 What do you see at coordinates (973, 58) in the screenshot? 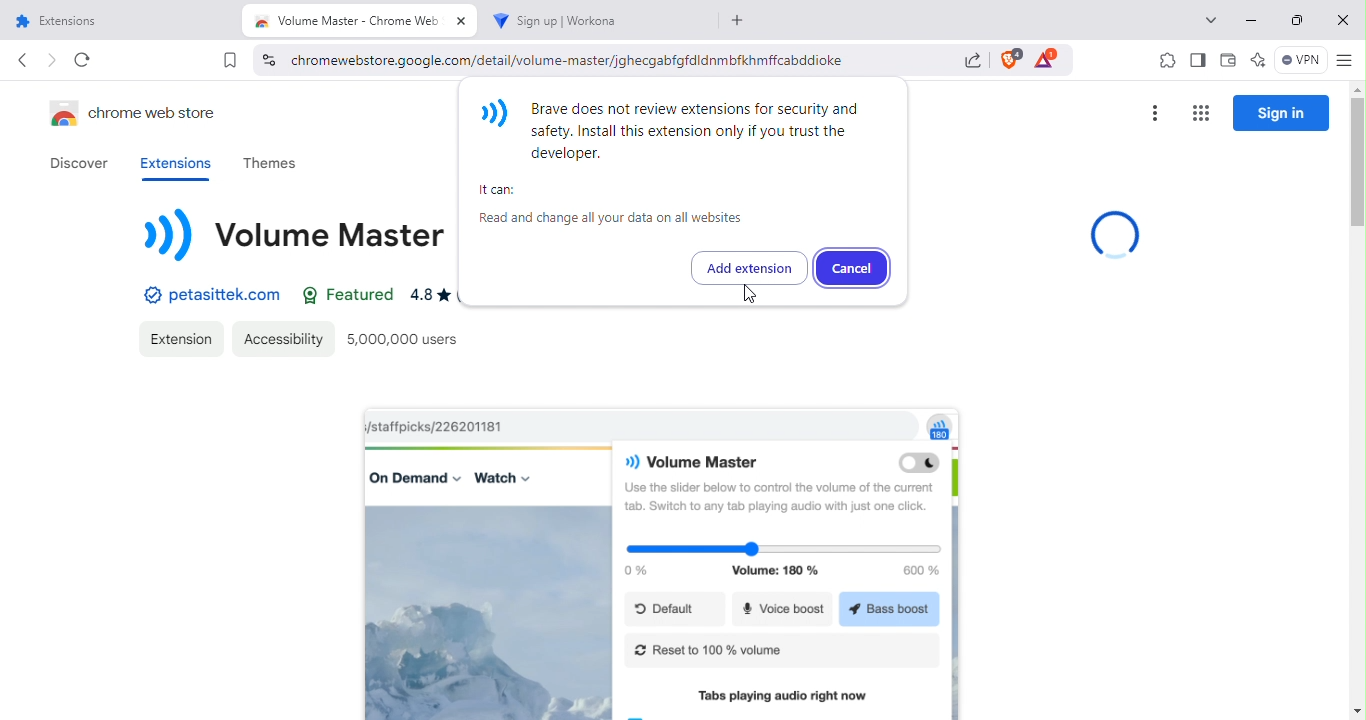
I see `share this page` at bounding box center [973, 58].